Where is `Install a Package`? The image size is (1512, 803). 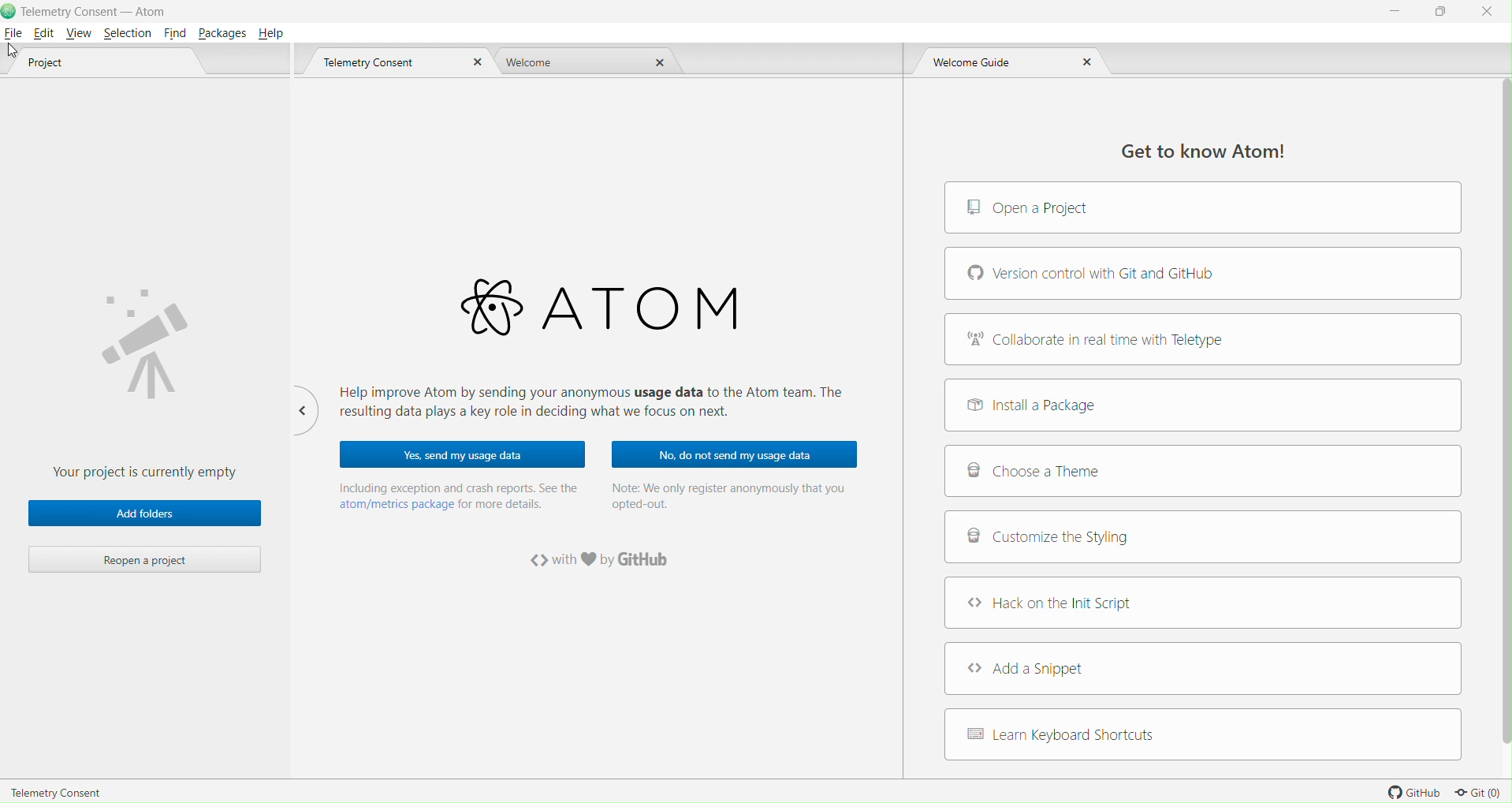 Install a Package is located at coordinates (1202, 405).